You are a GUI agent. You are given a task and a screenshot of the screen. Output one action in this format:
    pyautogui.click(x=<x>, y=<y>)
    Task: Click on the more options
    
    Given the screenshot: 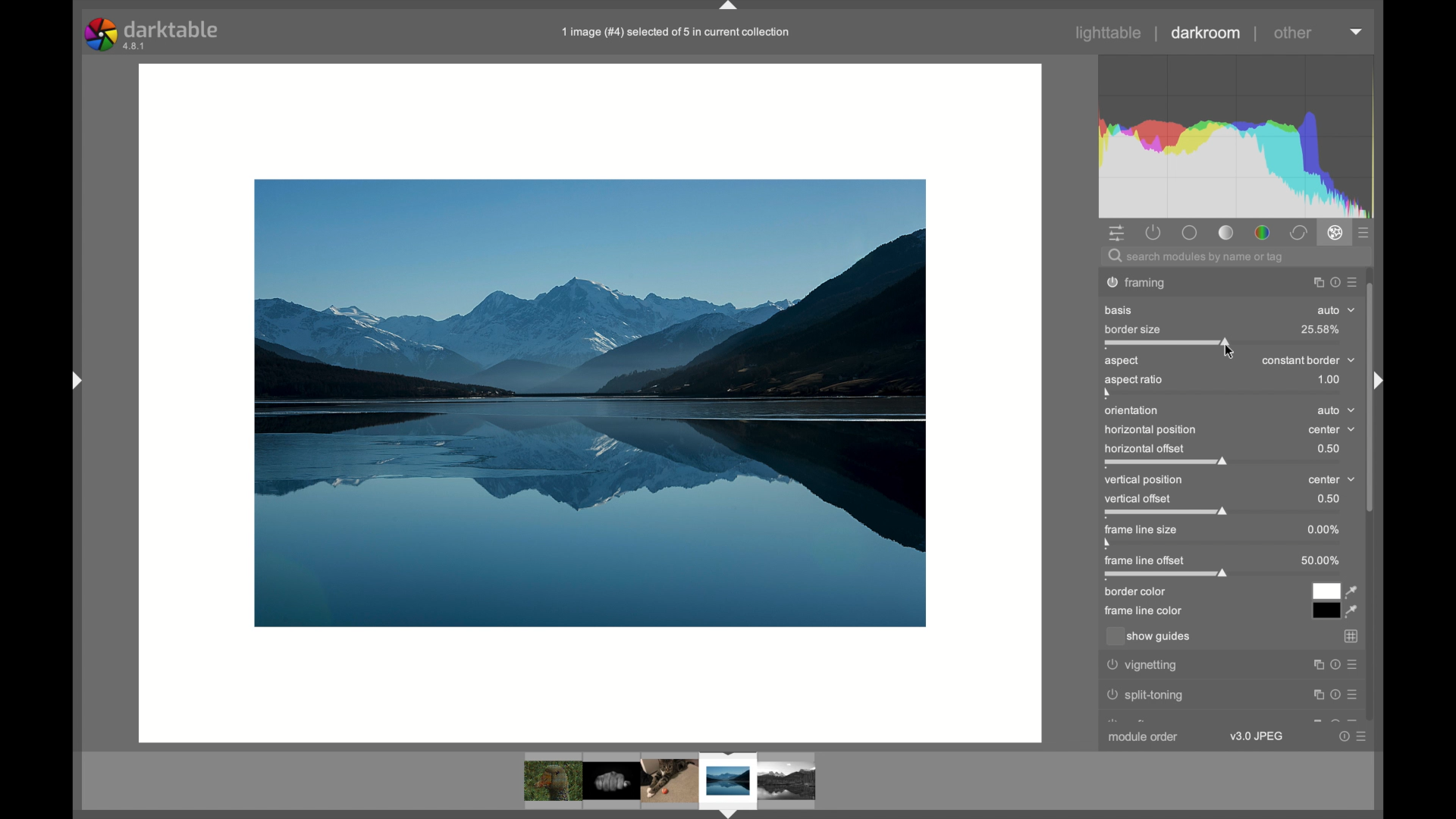 What is the action you would take?
    pyautogui.click(x=1357, y=32)
    